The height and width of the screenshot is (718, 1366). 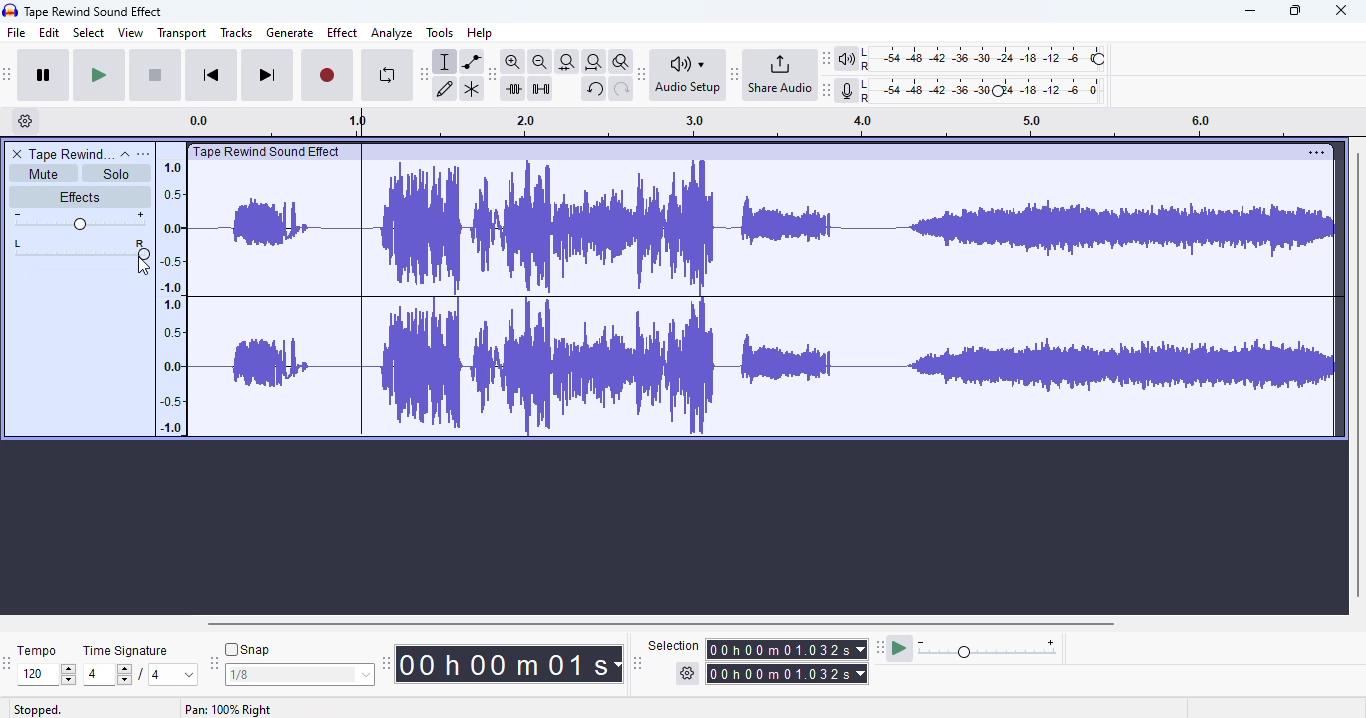 What do you see at coordinates (137, 674) in the screenshot?
I see `4/4` at bounding box center [137, 674].